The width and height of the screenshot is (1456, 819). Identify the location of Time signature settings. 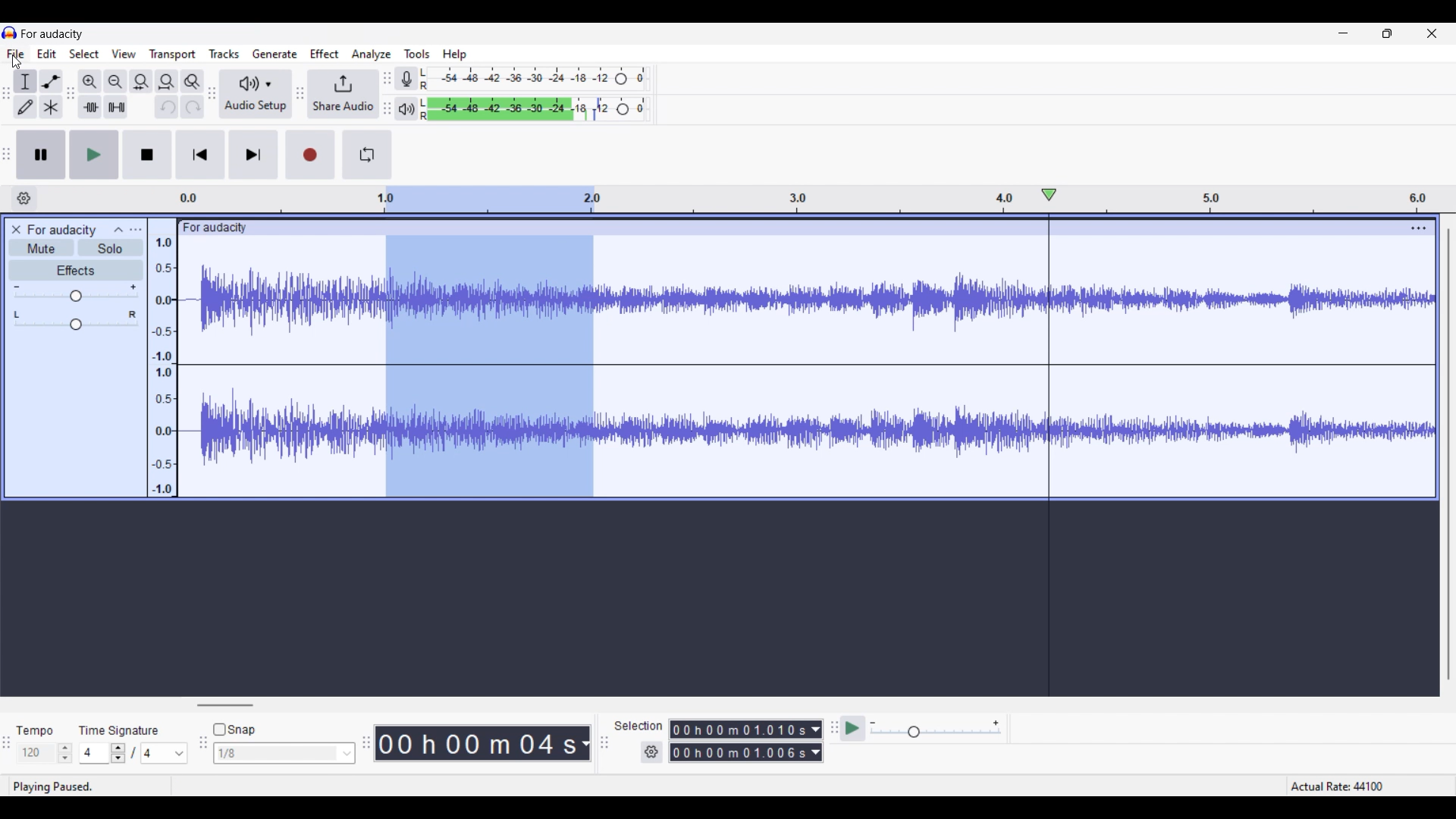
(133, 753).